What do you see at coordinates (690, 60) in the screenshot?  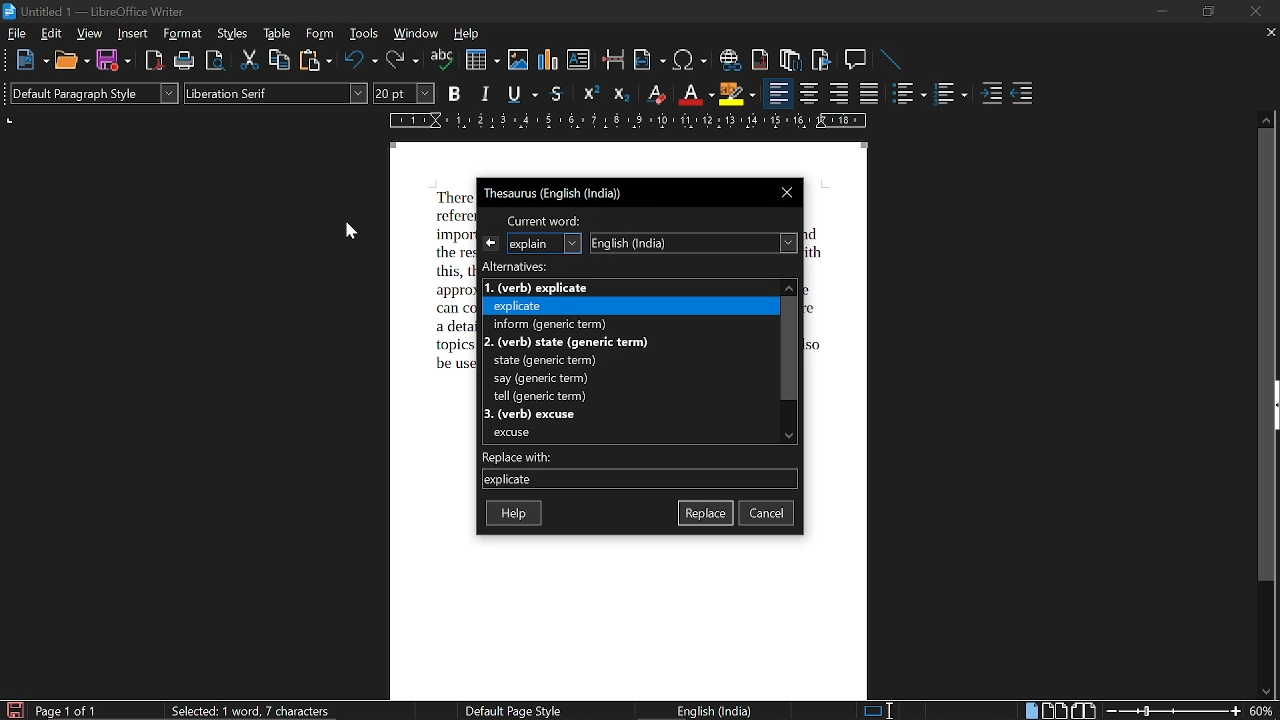 I see `insert symbol` at bounding box center [690, 60].